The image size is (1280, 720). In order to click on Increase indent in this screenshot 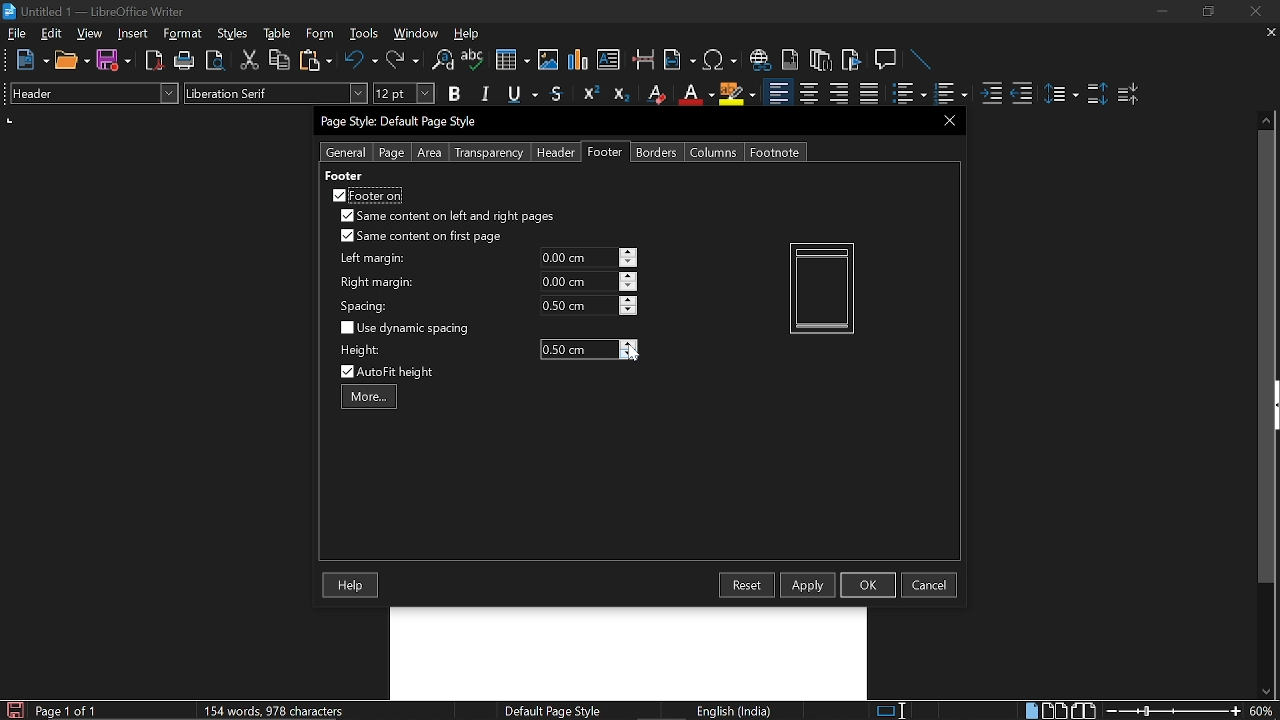, I will do `click(990, 93)`.